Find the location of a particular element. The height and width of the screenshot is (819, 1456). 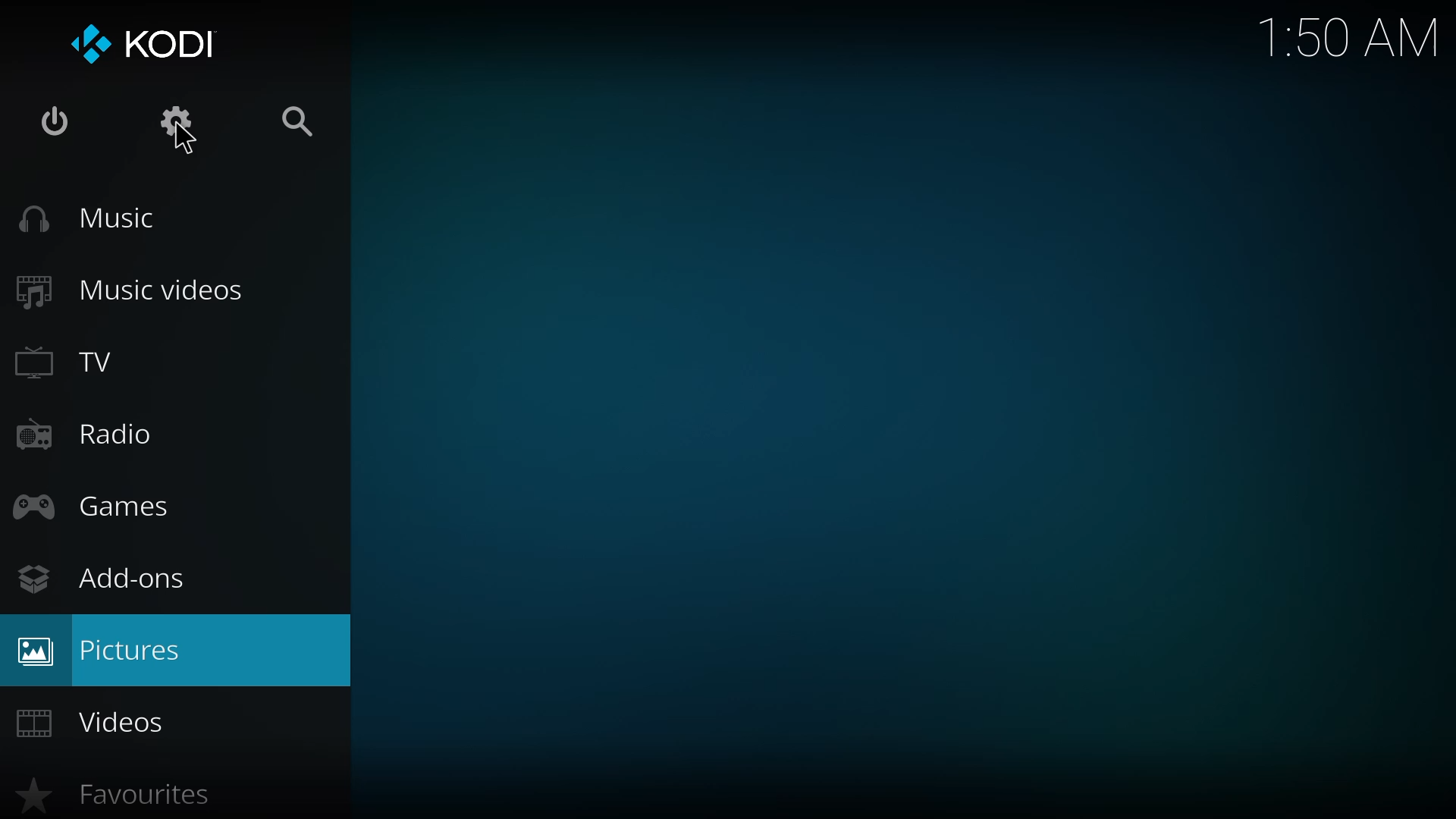

settings is located at coordinates (176, 123).